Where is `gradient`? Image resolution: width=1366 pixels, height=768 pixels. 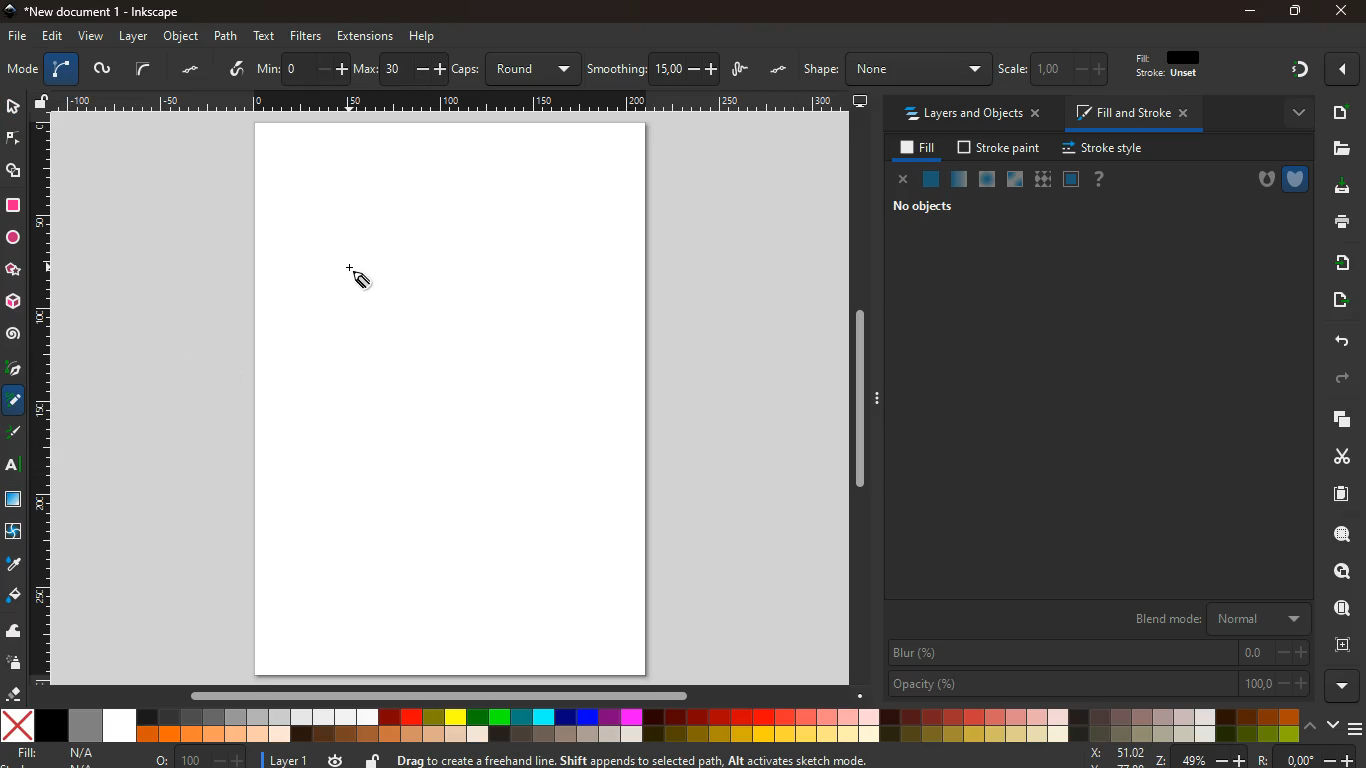 gradient is located at coordinates (1298, 72).